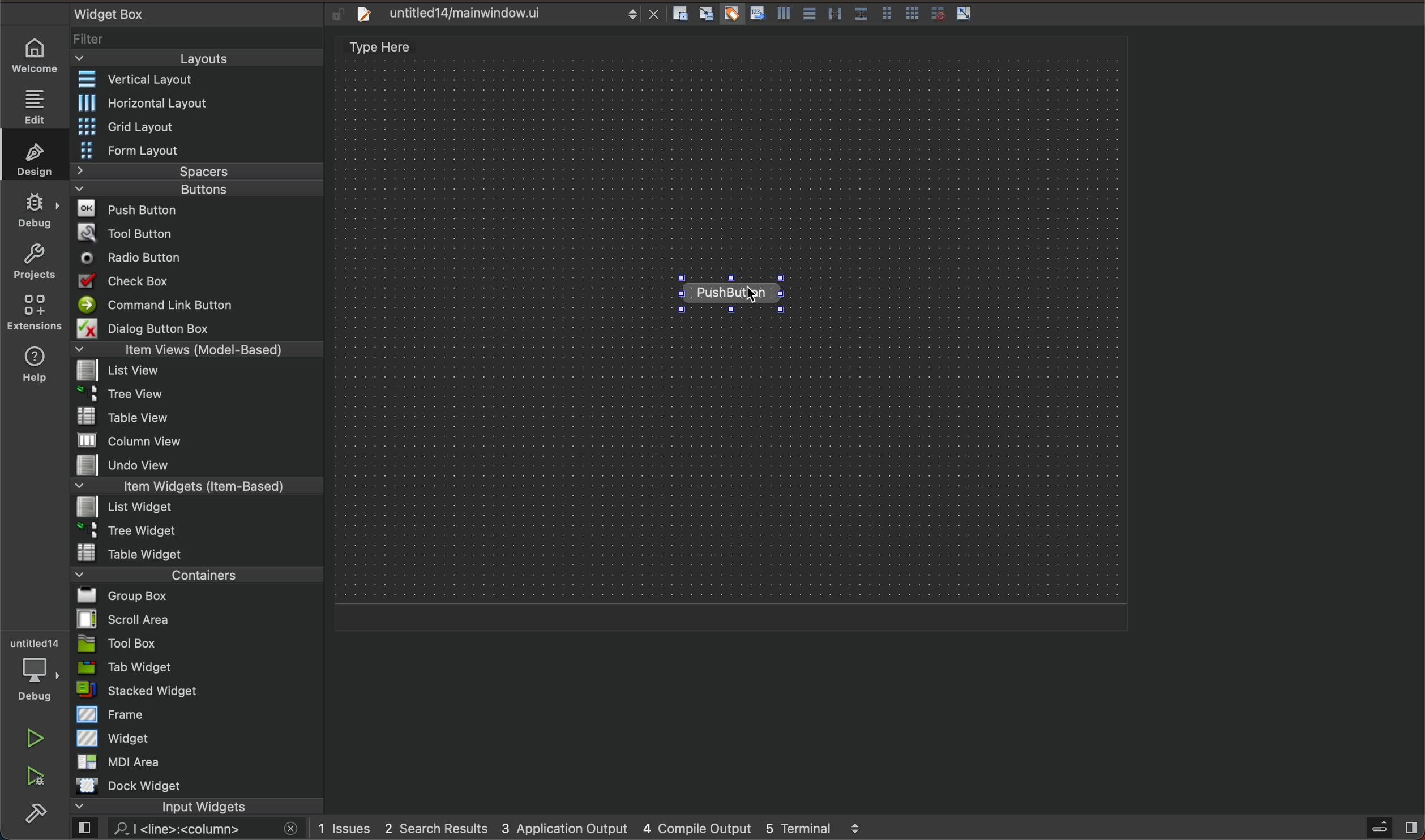 The image size is (1425, 840). Describe the element at coordinates (197, 149) in the screenshot. I see `form layout` at that location.